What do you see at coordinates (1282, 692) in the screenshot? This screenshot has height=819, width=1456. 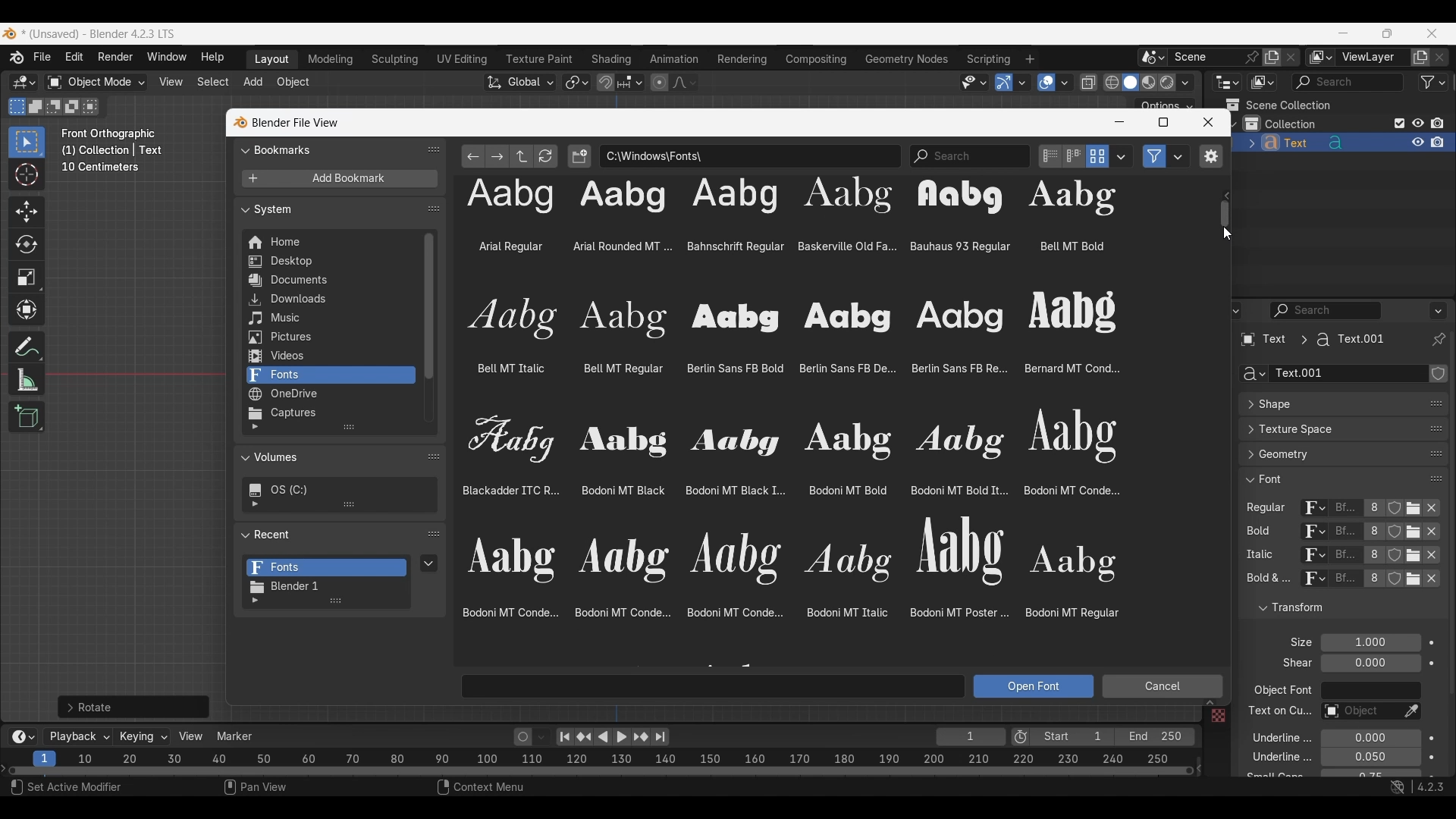 I see `object font` at bounding box center [1282, 692].